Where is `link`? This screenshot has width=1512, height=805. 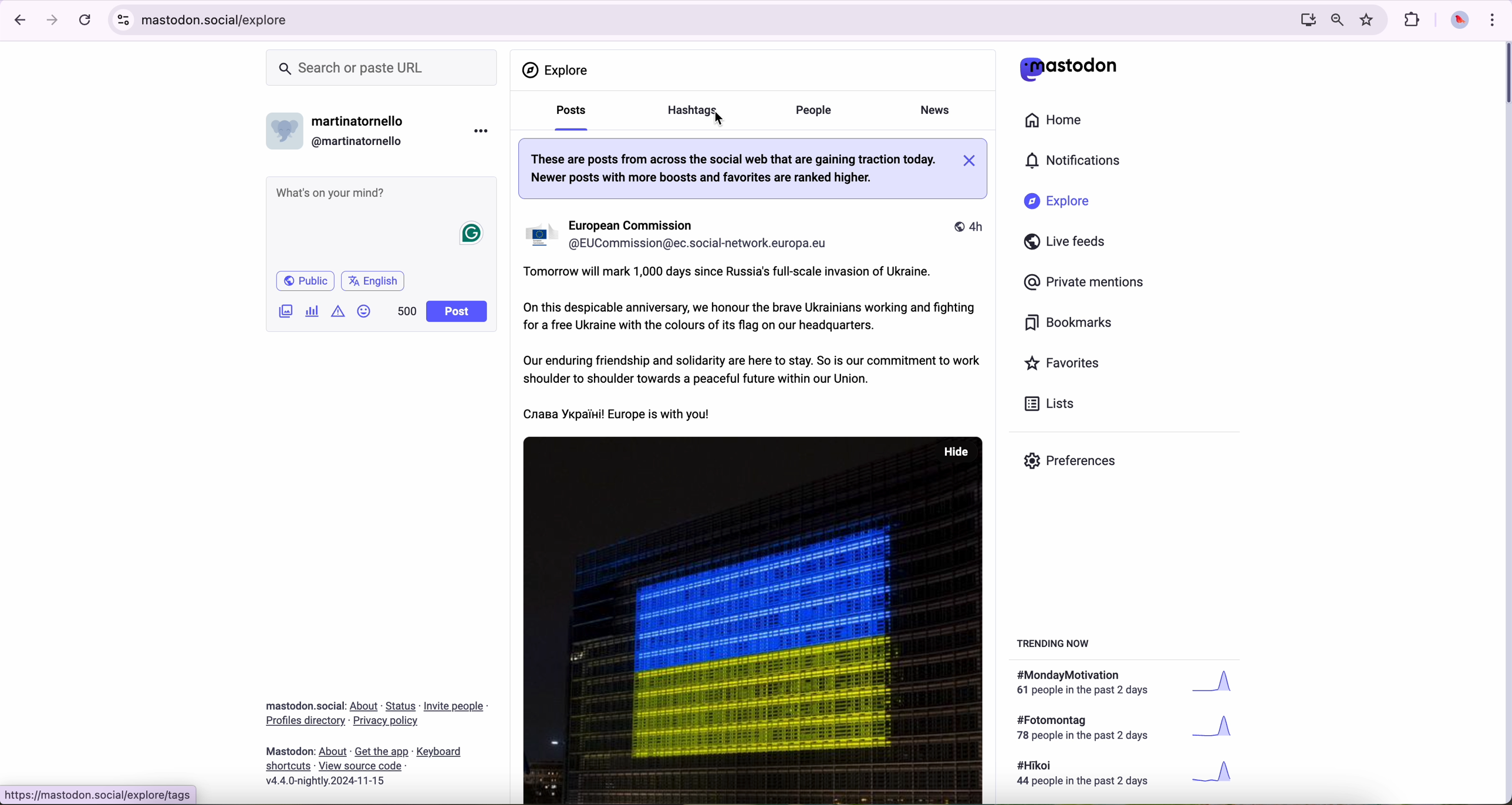
link is located at coordinates (365, 706).